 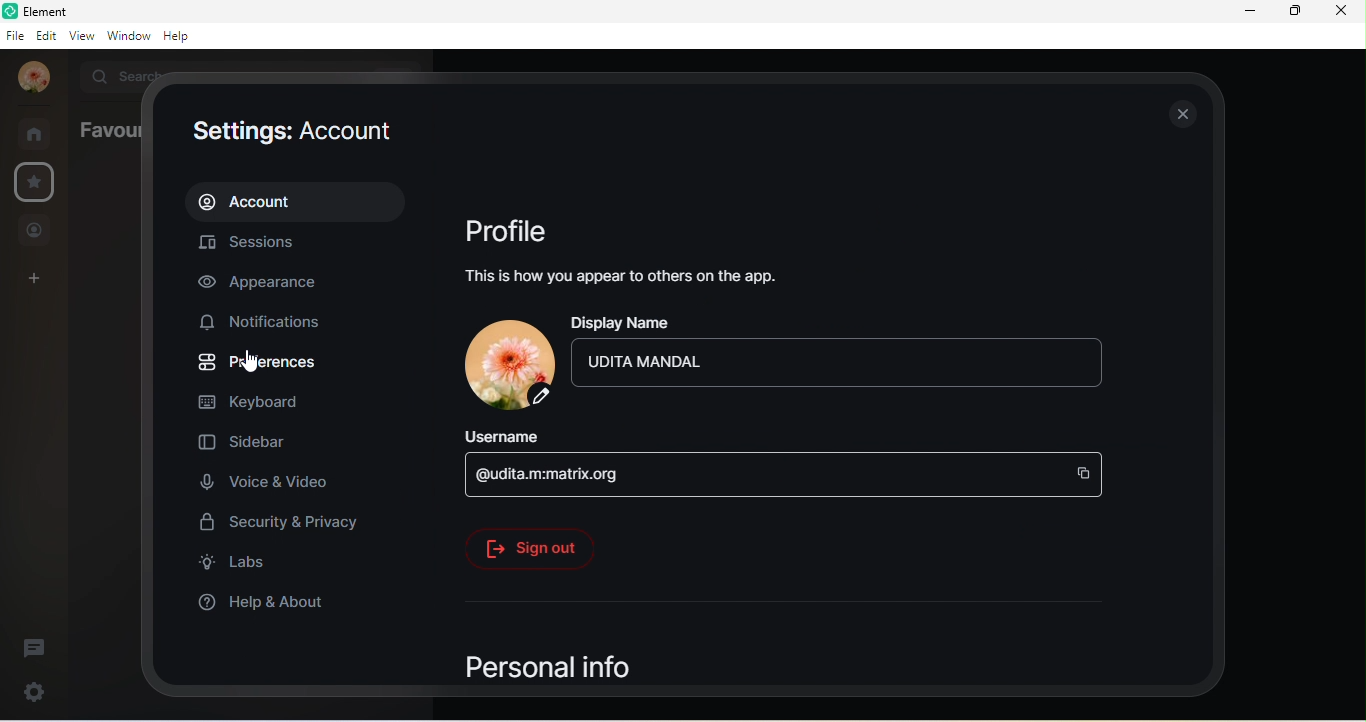 I want to click on signout, so click(x=532, y=547).